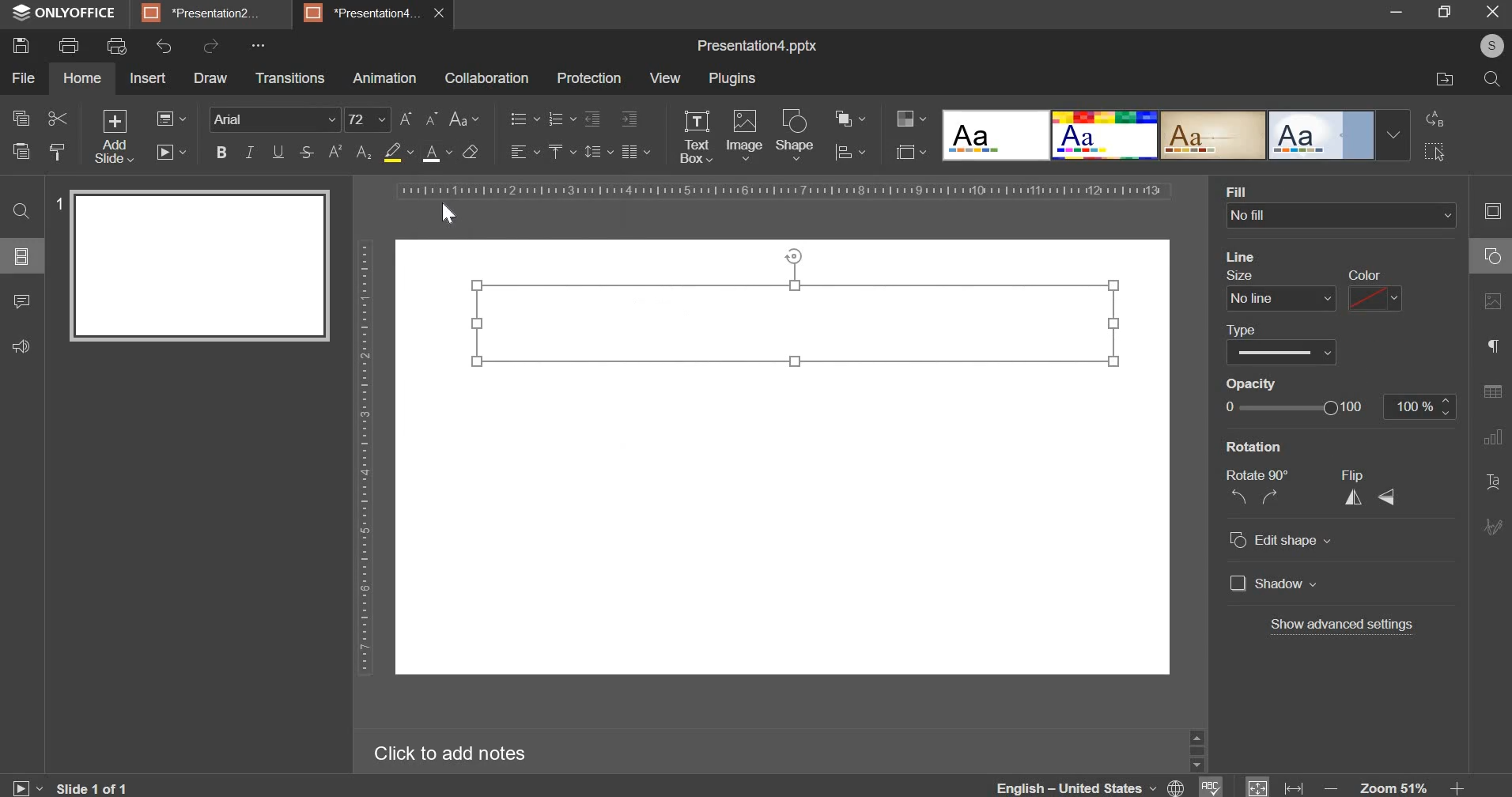 The width and height of the screenshot is (1512, 797). I want to click on Cursor, so click(448, 214).